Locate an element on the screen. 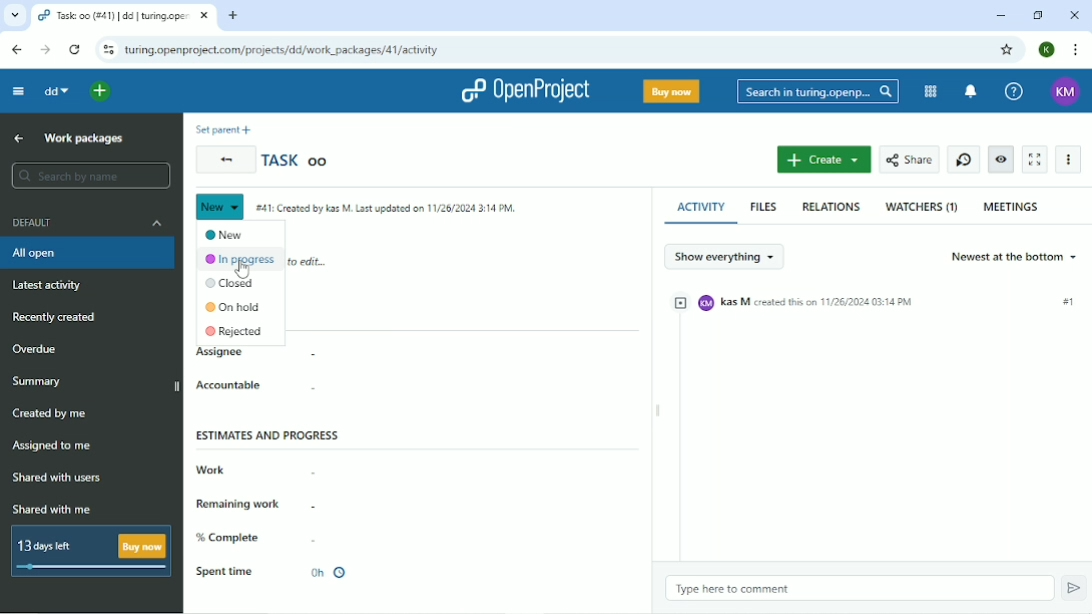 This screenshot has width=1092, height=614. ACTIVITY is located at coordinates (702, 208).